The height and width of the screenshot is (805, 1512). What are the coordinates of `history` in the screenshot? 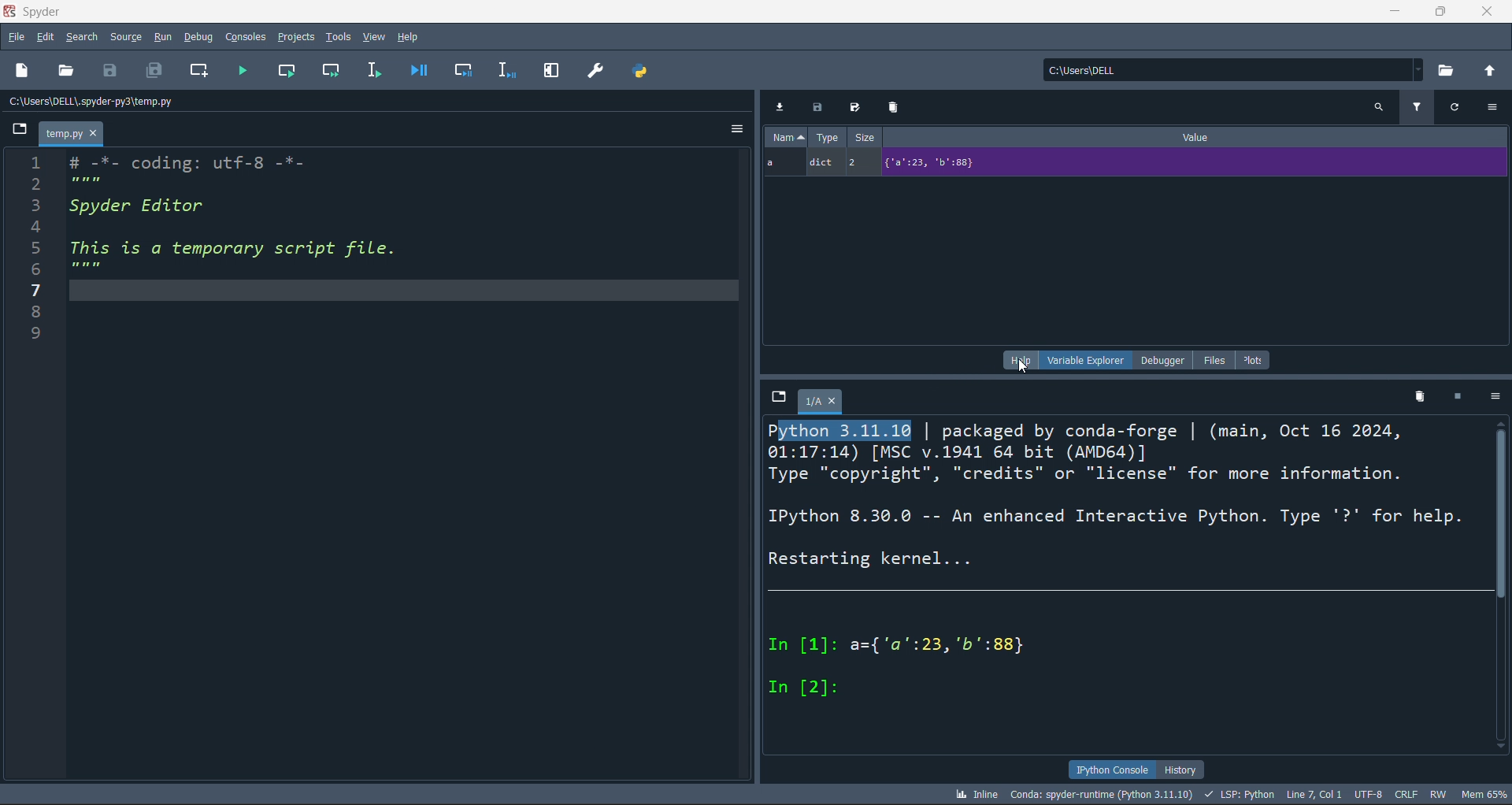 It's located at (1183, 770).